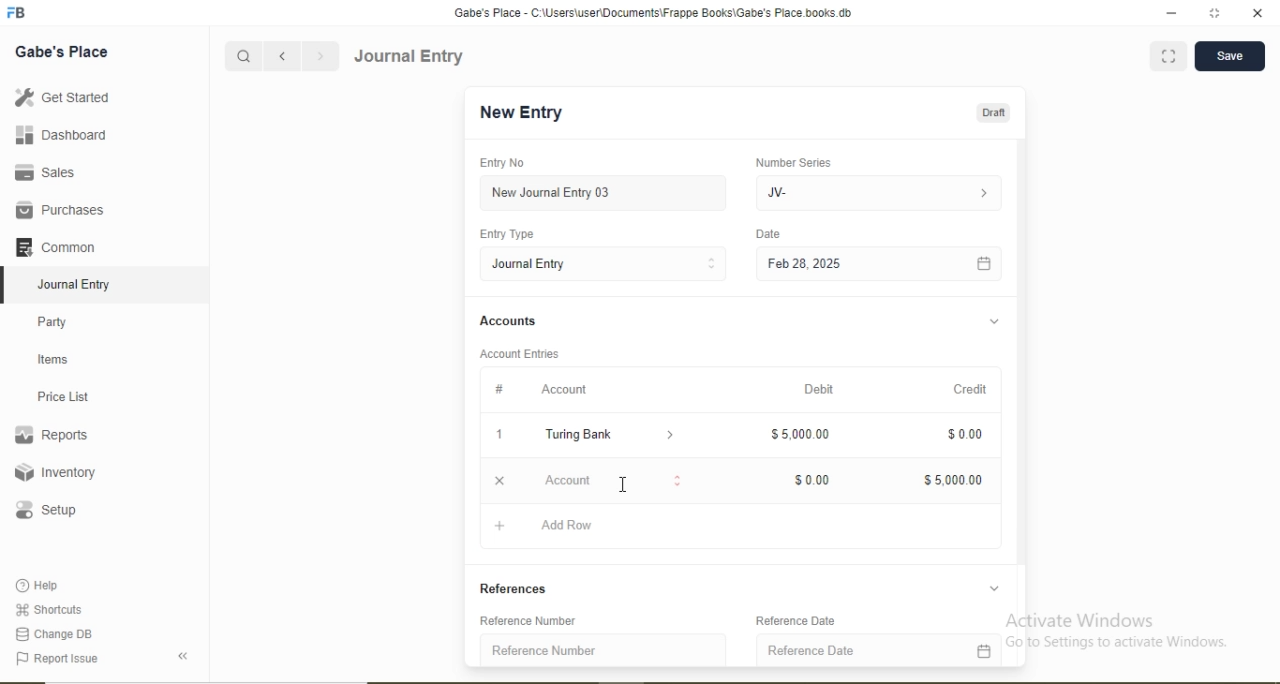 This screenshot has width=1280, height=684. I want to click on Debit, so click(819, 389).